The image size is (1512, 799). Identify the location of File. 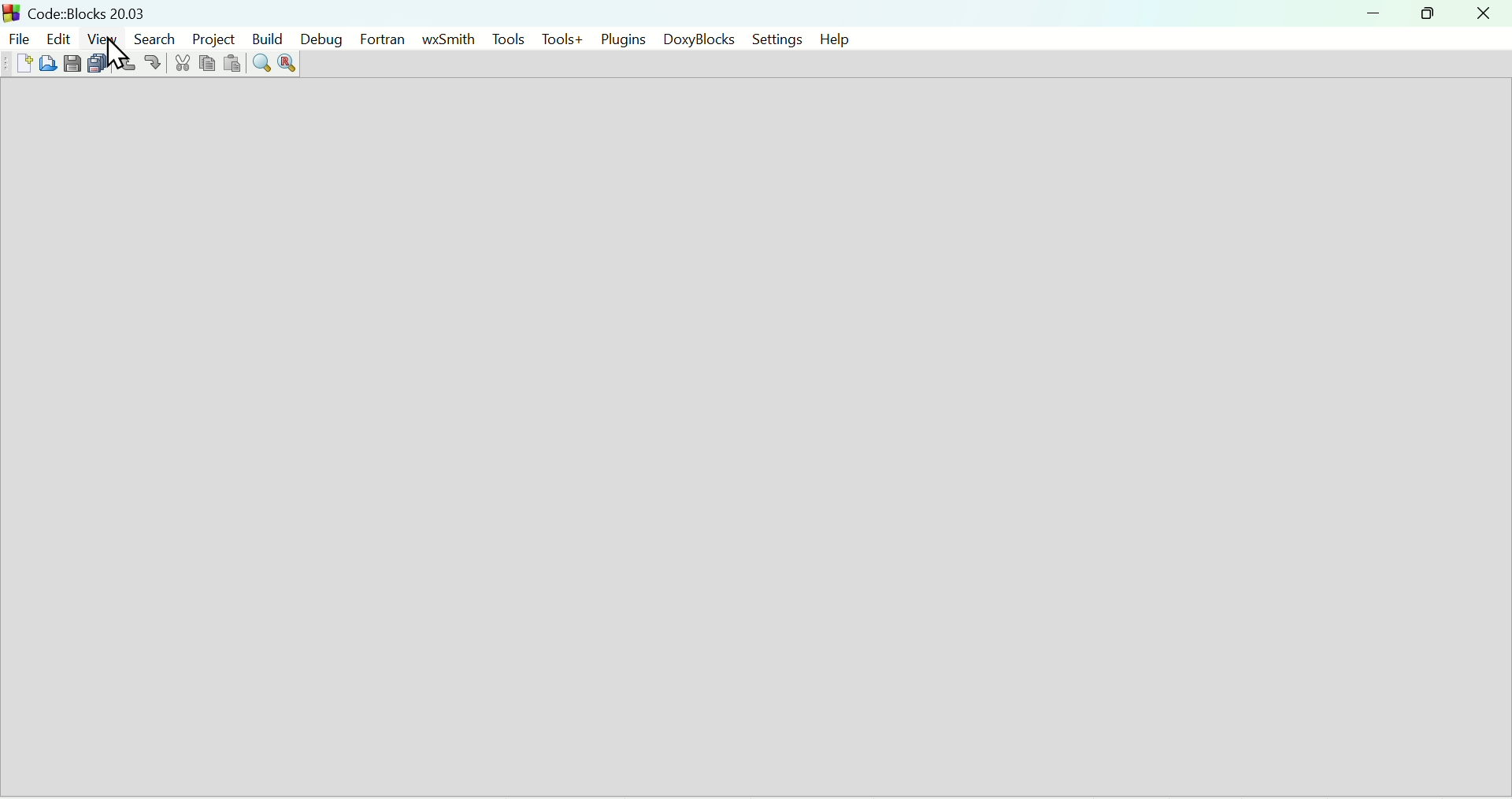
(17, 36).